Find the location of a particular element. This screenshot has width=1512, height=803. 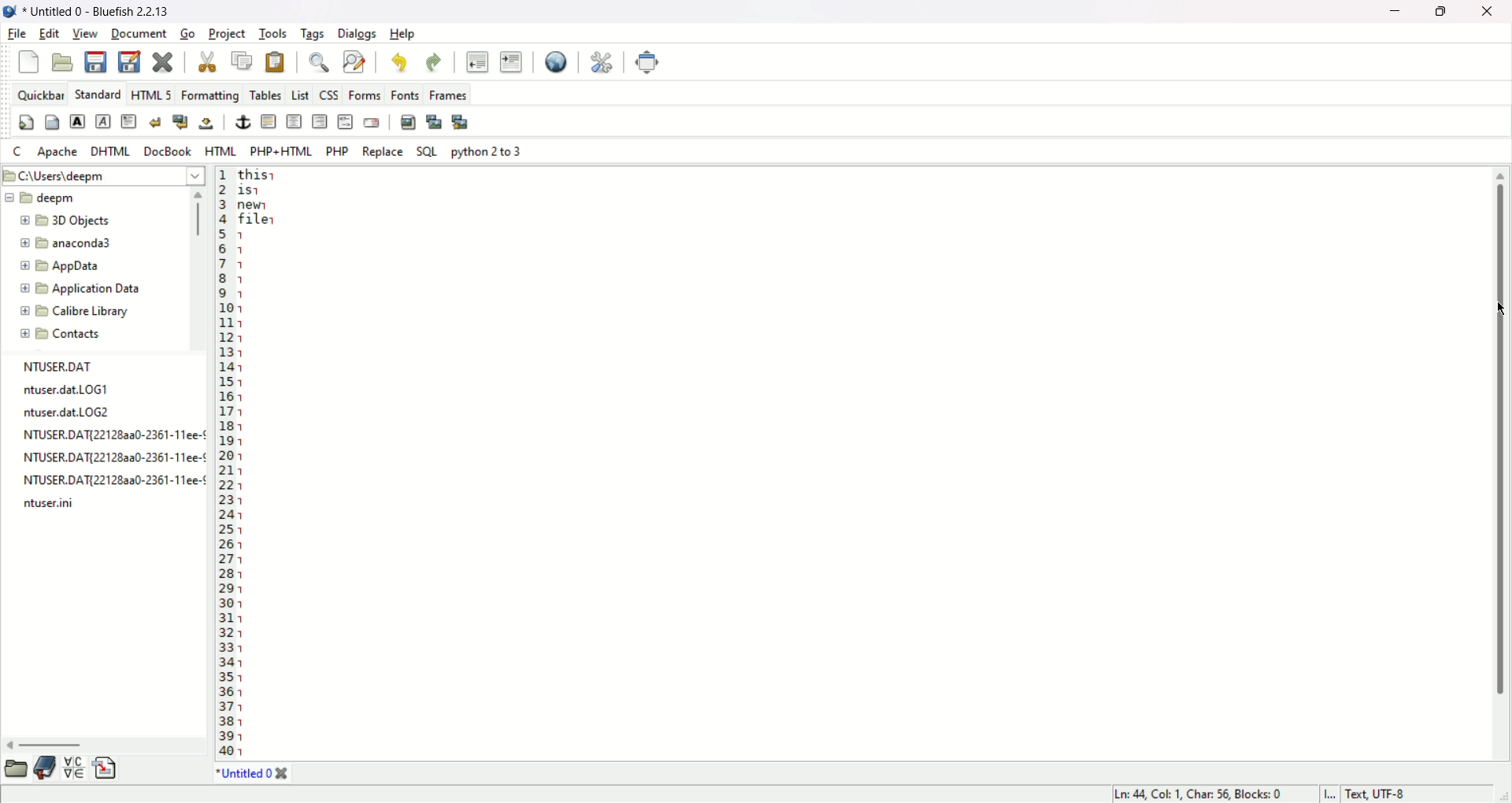

multi thumbnail is located at coordinates (461, 121).